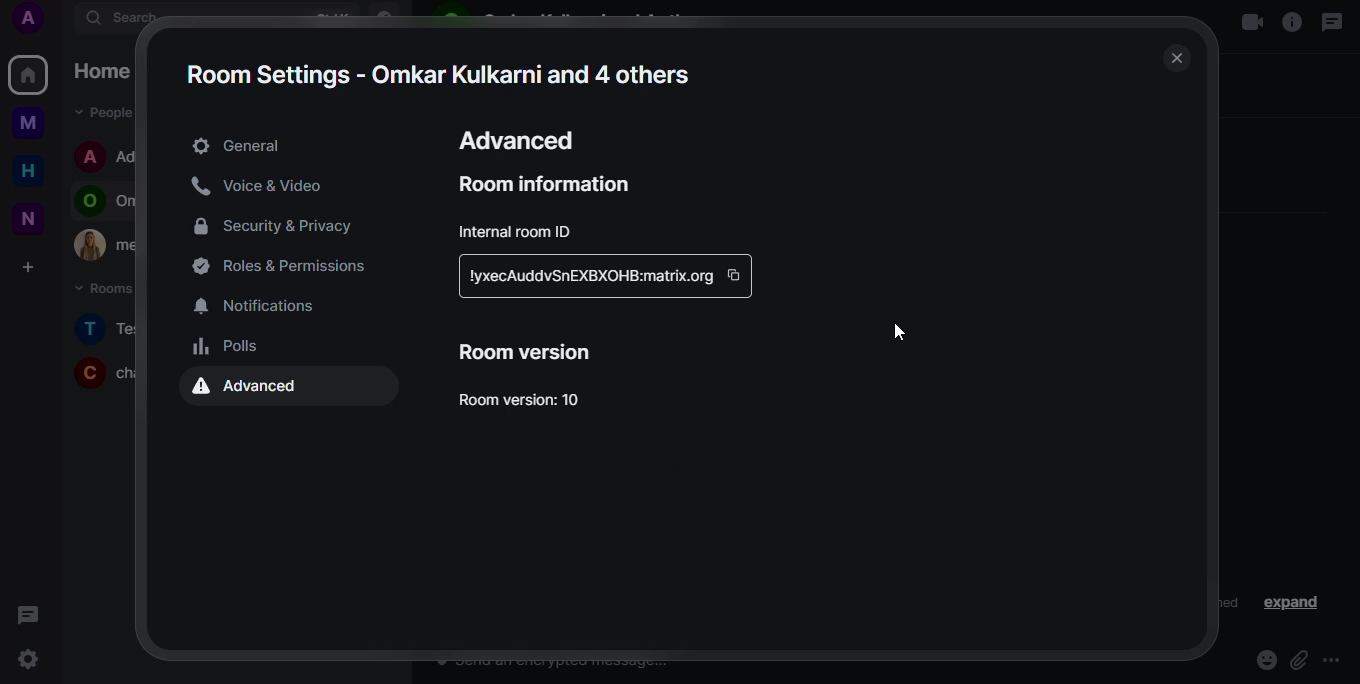 The image size is (1360, 684). What do you see at coordinates (532, 350) in the screenshot?
I see `room version` at bounding box center [532, 350].